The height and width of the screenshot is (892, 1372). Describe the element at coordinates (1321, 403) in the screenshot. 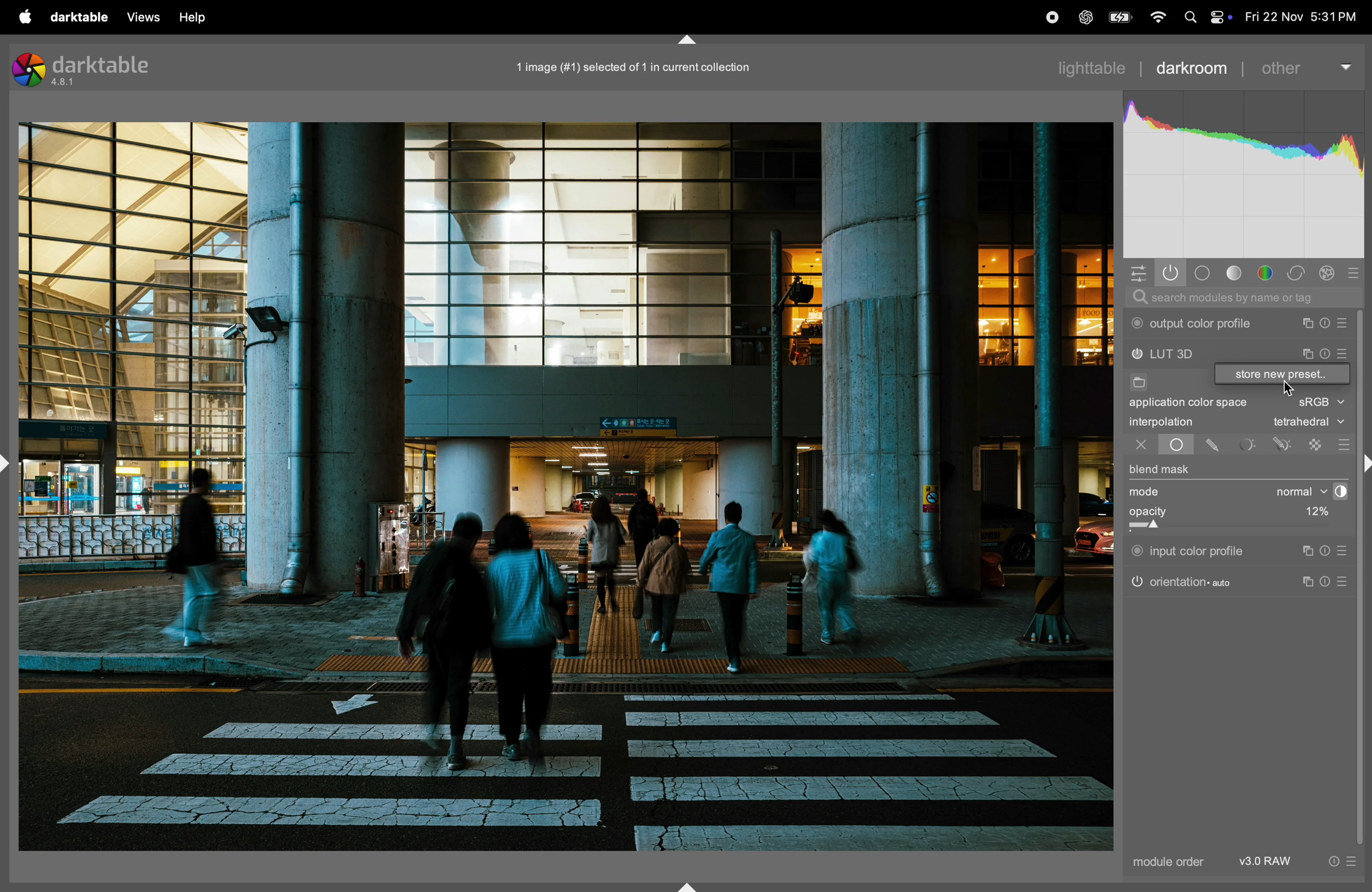

I see `Srgb` at that location.